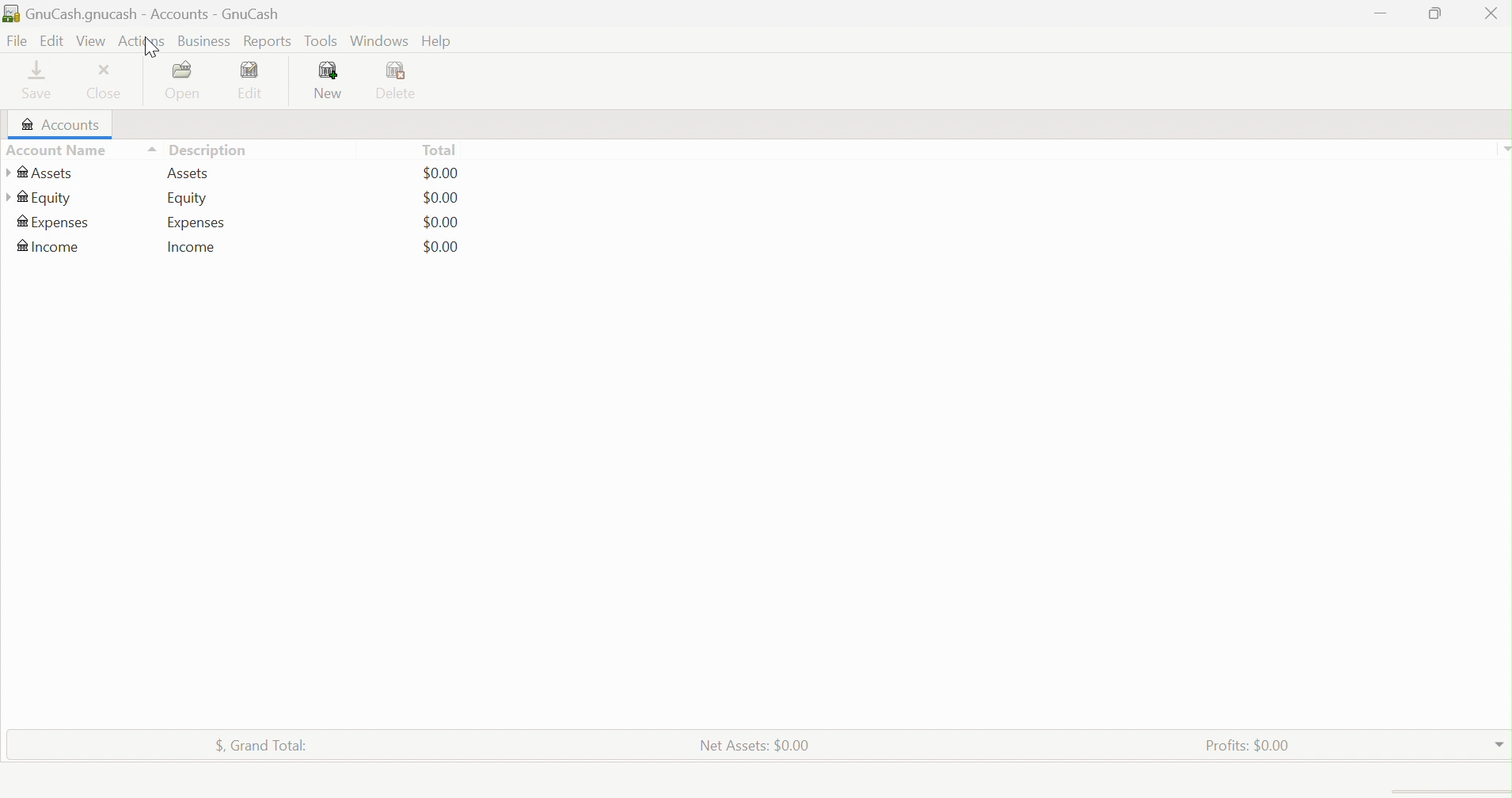 This screenshot has height=798, width=1512. I want to click on Income, so click(51, 246).